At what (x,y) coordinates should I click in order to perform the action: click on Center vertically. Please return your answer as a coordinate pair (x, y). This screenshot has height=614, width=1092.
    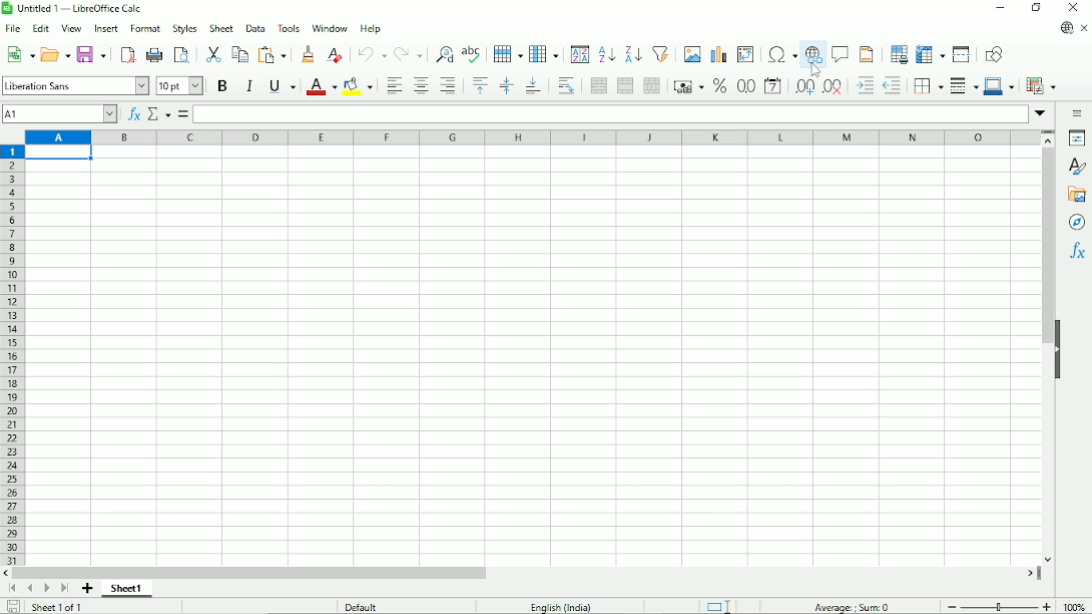
    Looking at the image, I should click on (506, 86).